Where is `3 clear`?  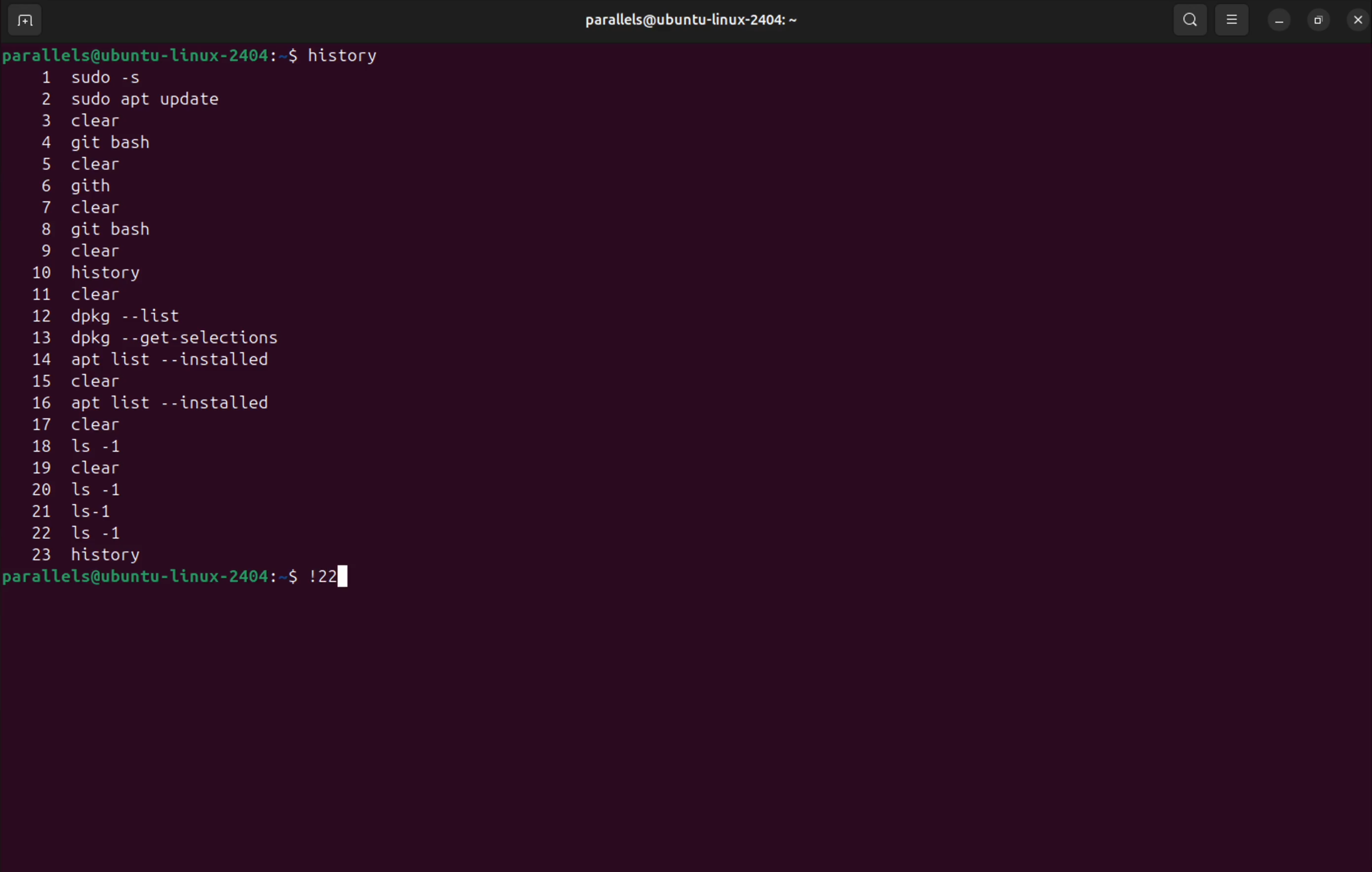 3 clear is located at coordinates (109, 120).